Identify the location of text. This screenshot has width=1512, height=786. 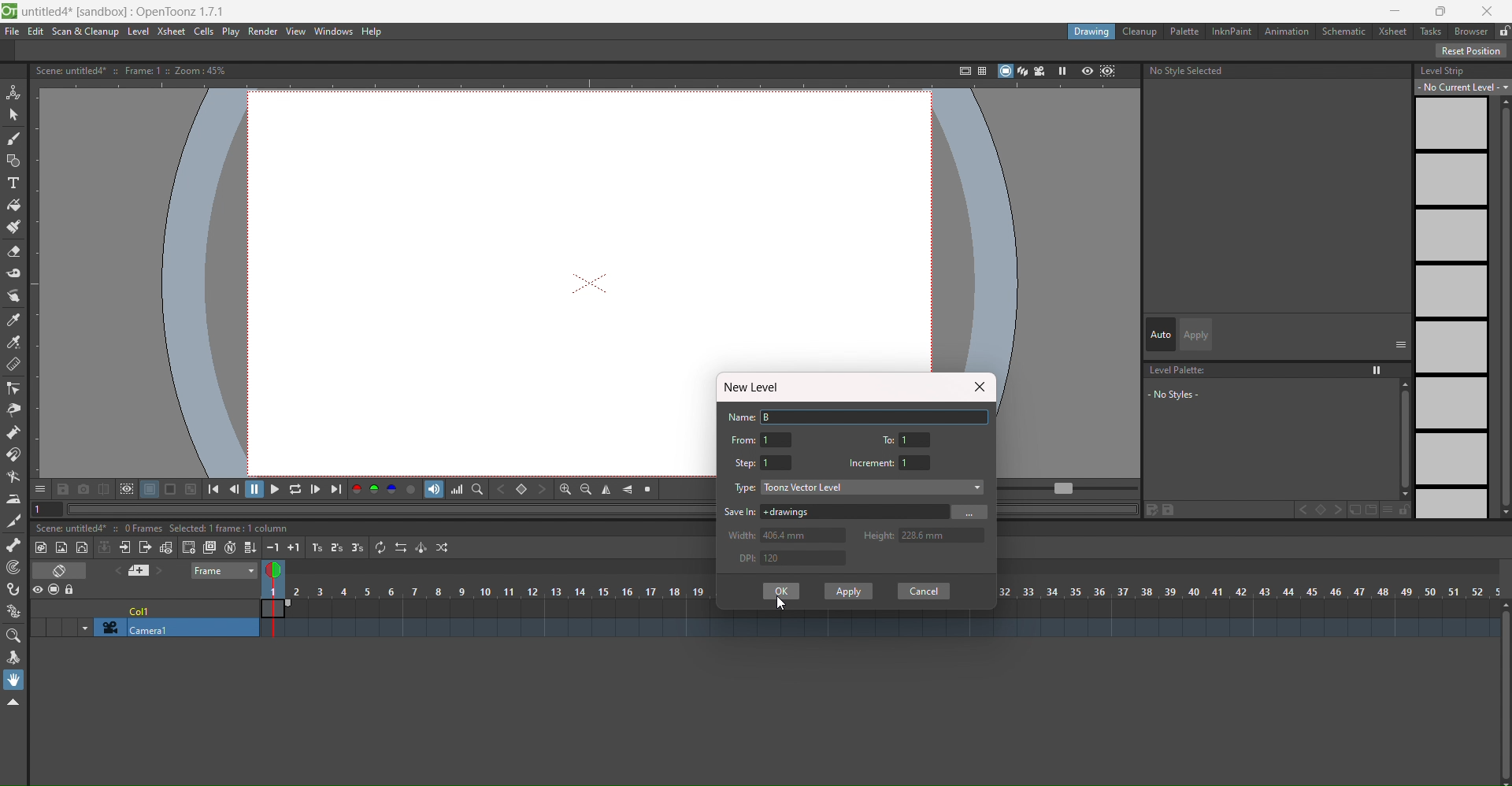
(135, 70).